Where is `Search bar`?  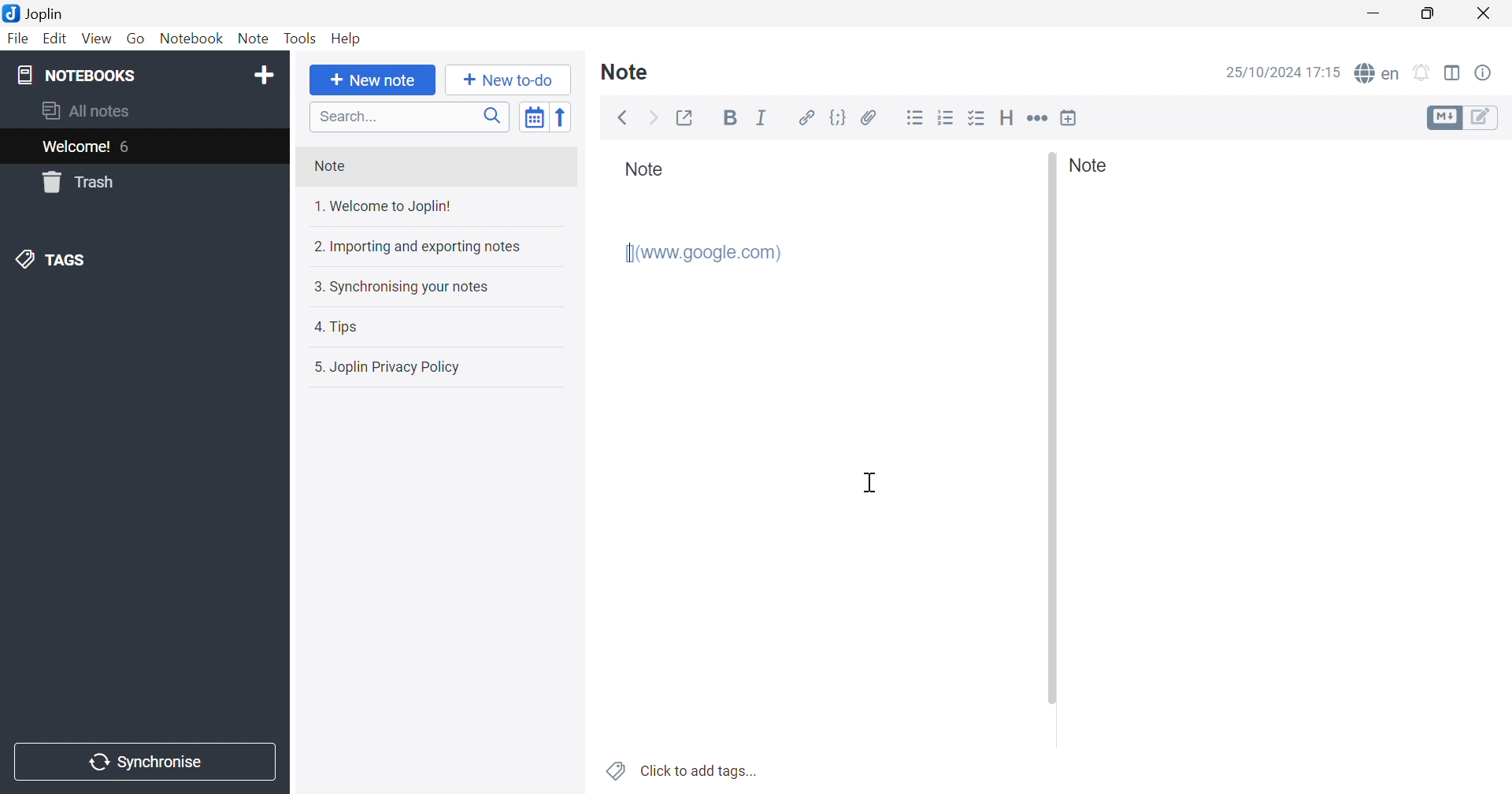 Search bar is located at coordinates (411, 116).